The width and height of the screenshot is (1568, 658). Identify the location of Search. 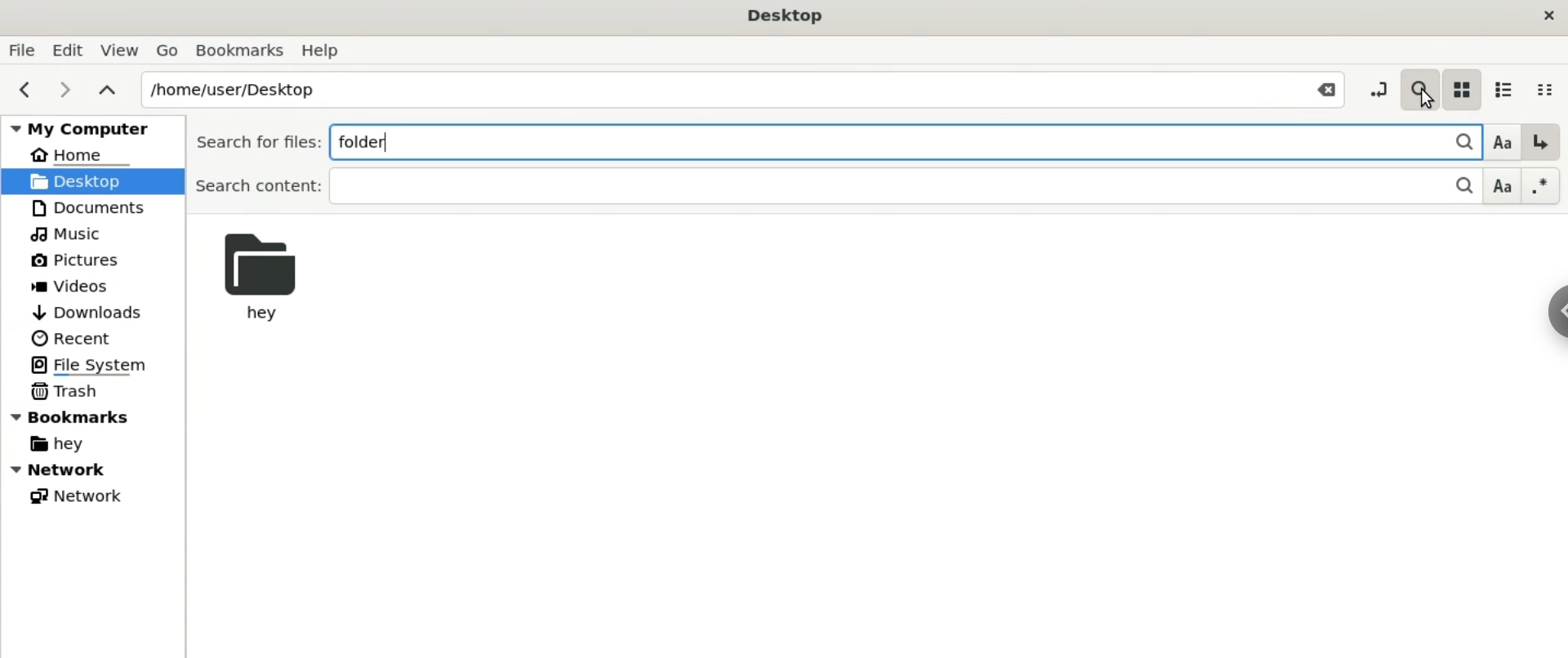
(1454, 140).